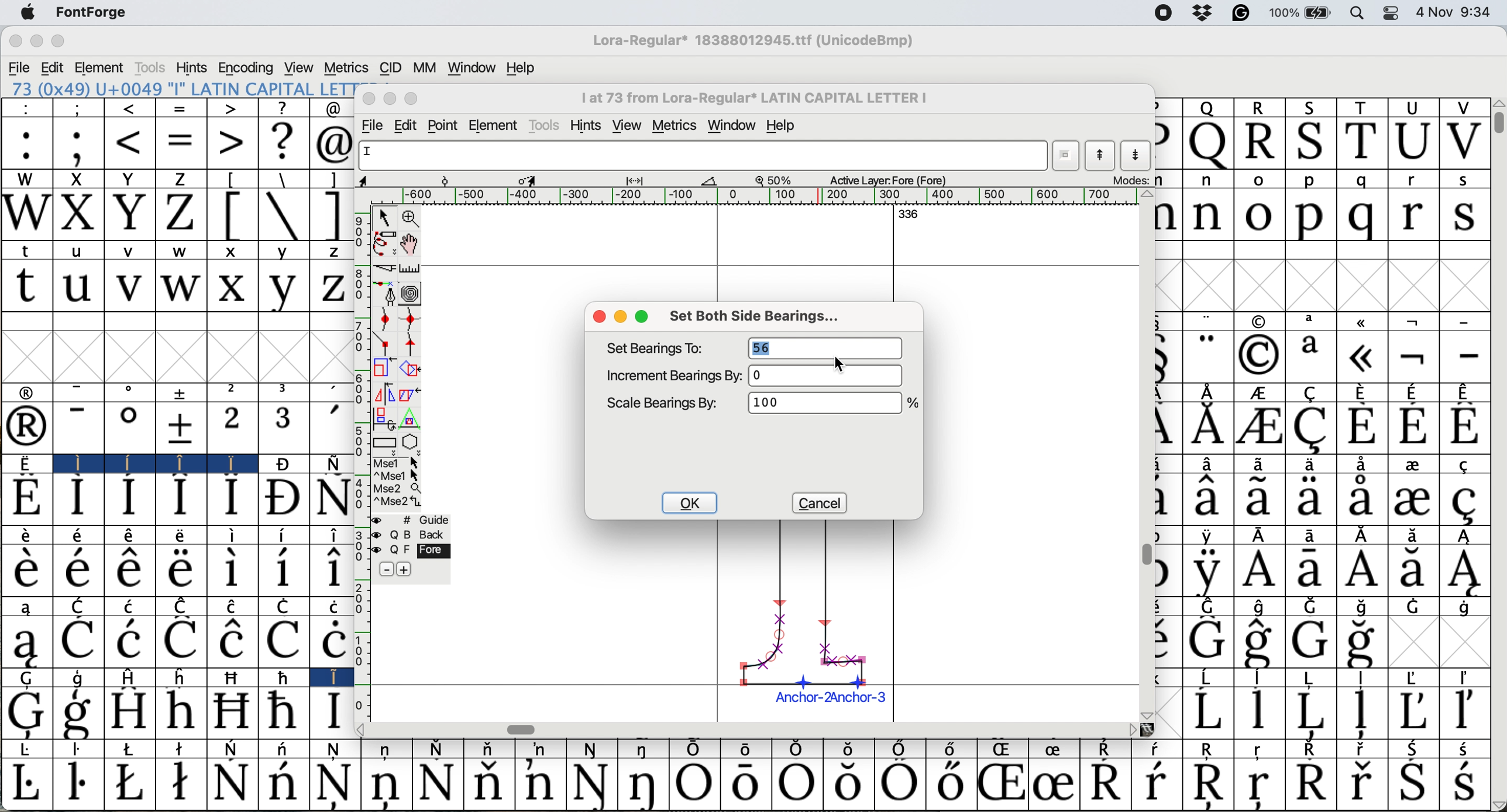 The height and width of the screenshot is (812, 1507). What do you see at coordinates (410, 369) in the screenshot?
I see `rotate the selection` at bounding box center [410, 369].